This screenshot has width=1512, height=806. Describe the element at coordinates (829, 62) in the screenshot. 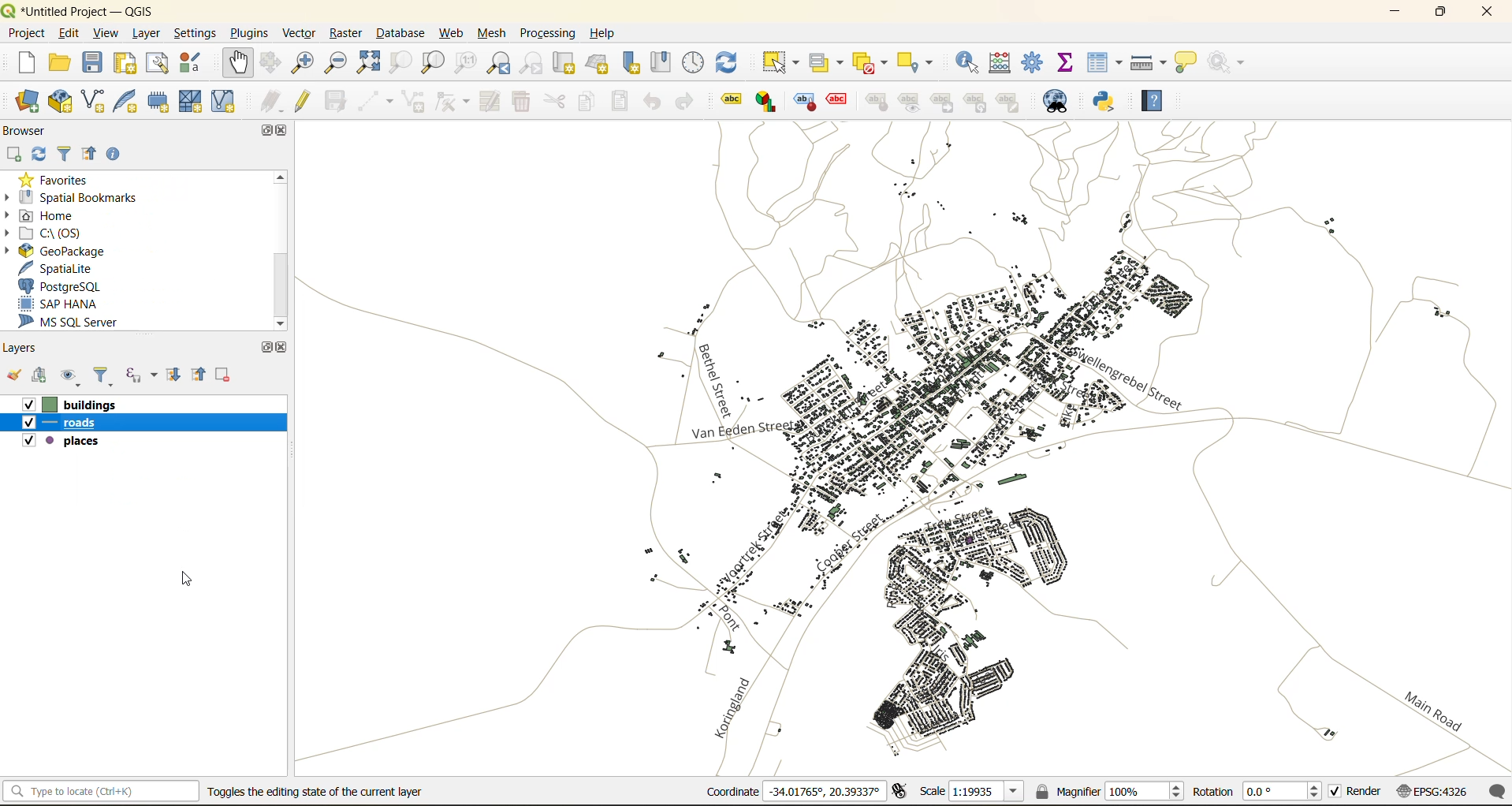

I see `select value` at that location.